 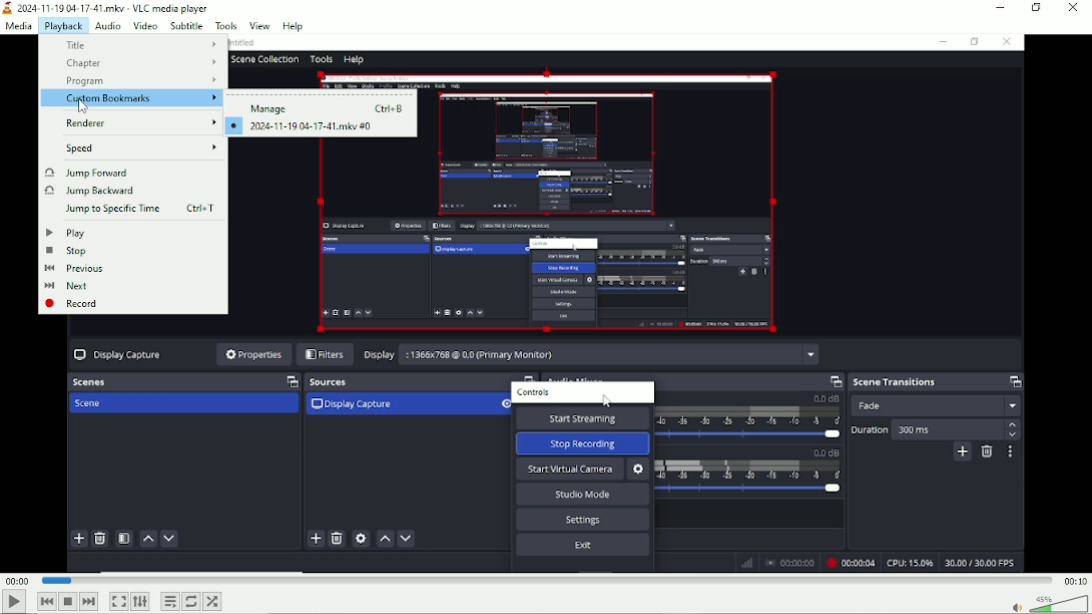 What do you see at coordinates (74, 269) in the screenshot?
I see `Previous` at bounding box center [74, 269].